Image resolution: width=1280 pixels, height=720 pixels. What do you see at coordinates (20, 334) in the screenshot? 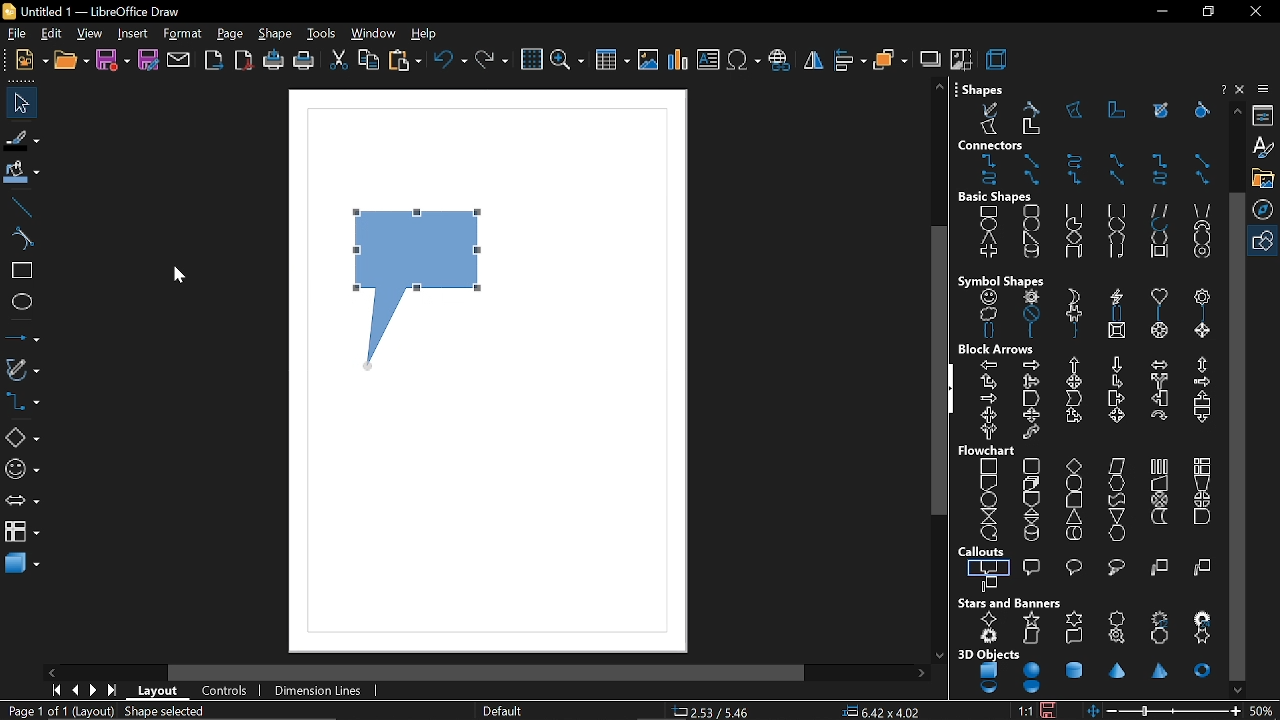
I see `lines and arrows` at bounding box center [20, 334].